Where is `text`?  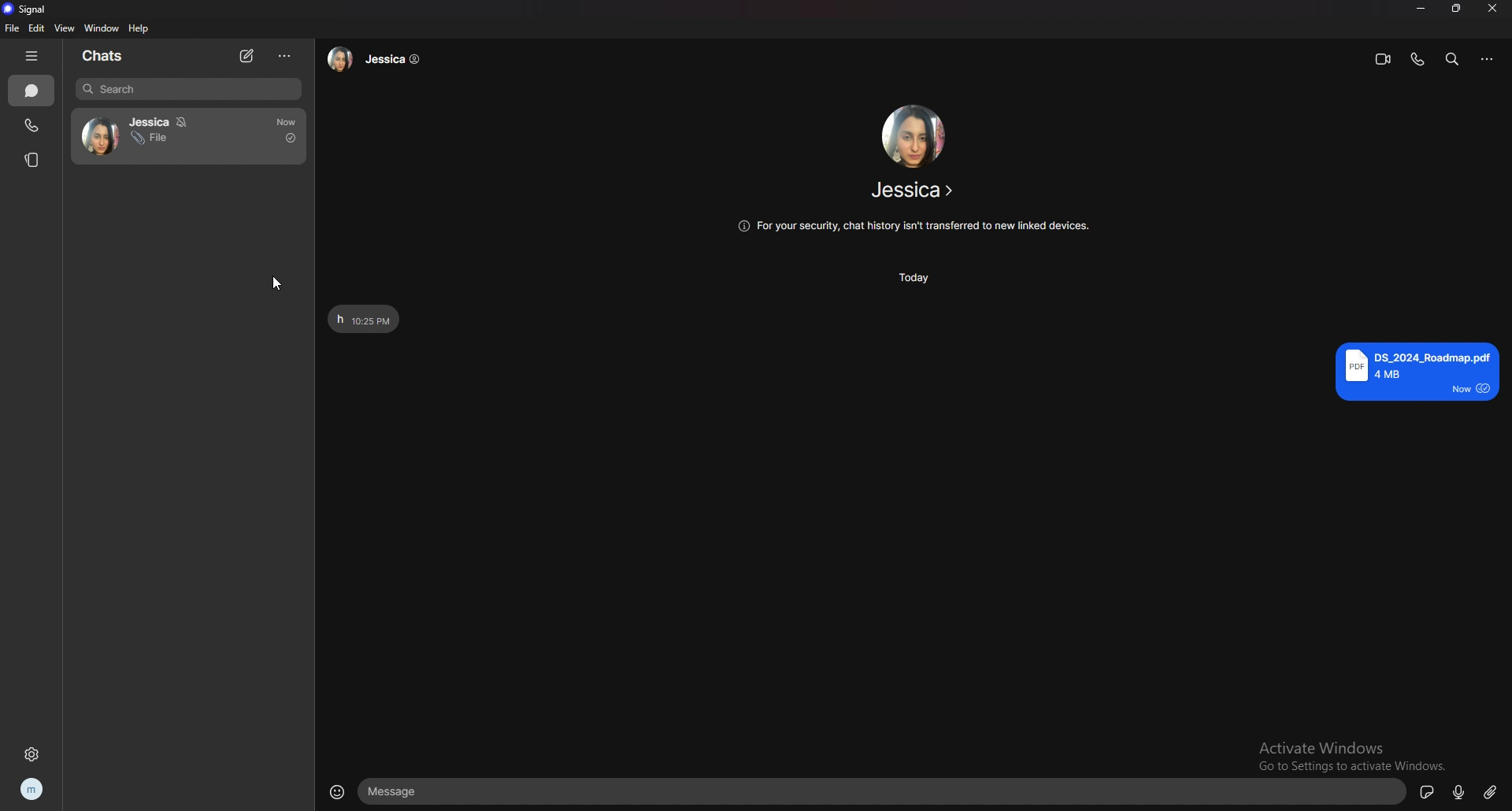
text is located at coordinates (364, 318).